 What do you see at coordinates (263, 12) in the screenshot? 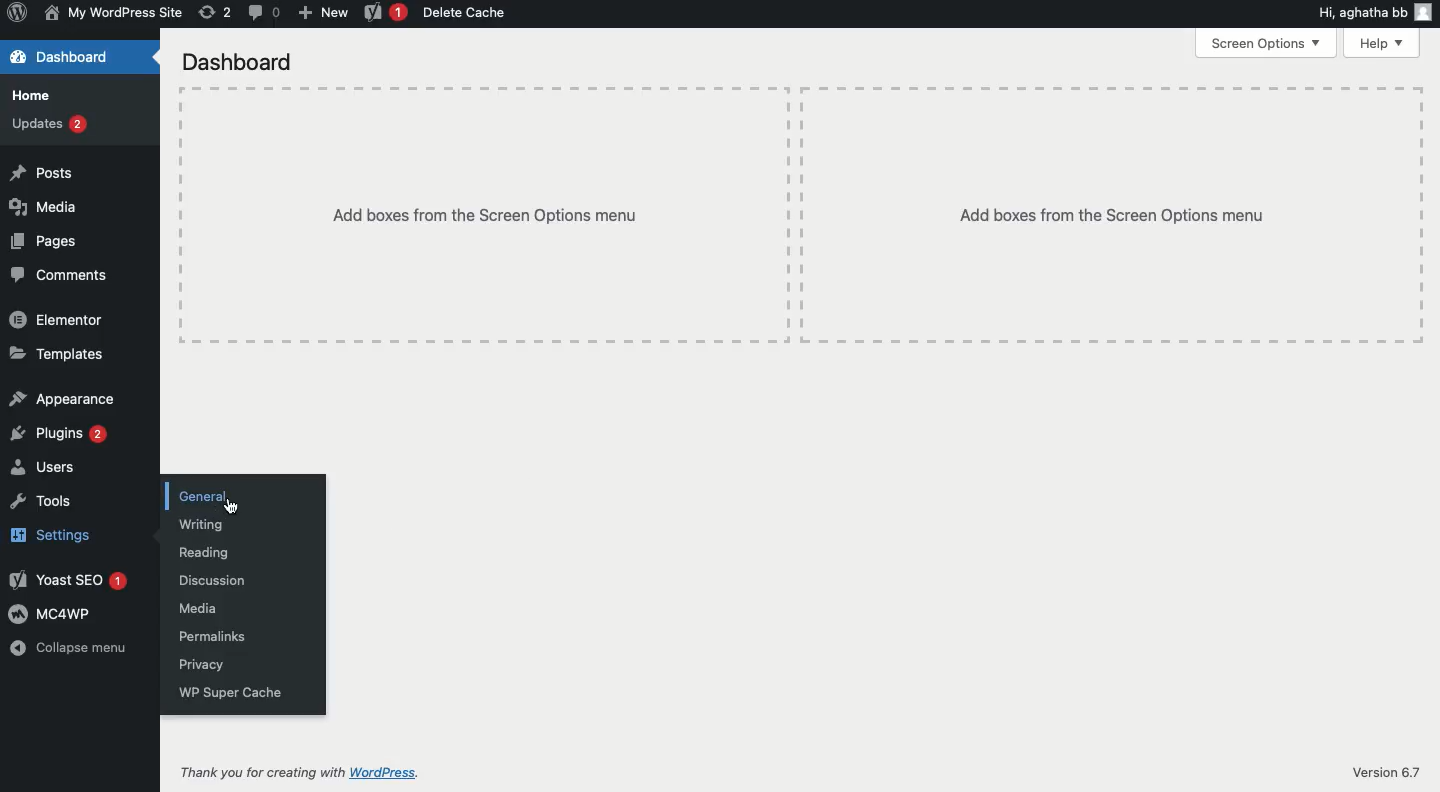
I see `(0) Comment` at bounding box center [263, 12].